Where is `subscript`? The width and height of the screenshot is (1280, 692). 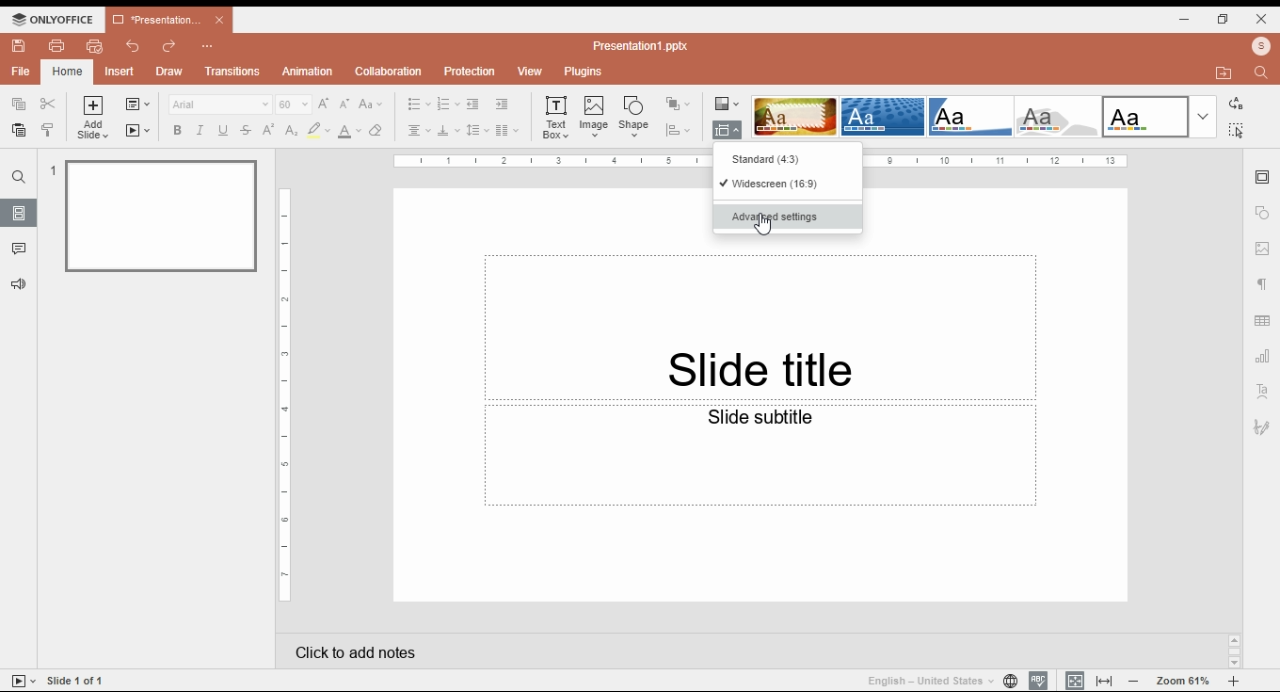
subscript is located at coordinates (289, 130).